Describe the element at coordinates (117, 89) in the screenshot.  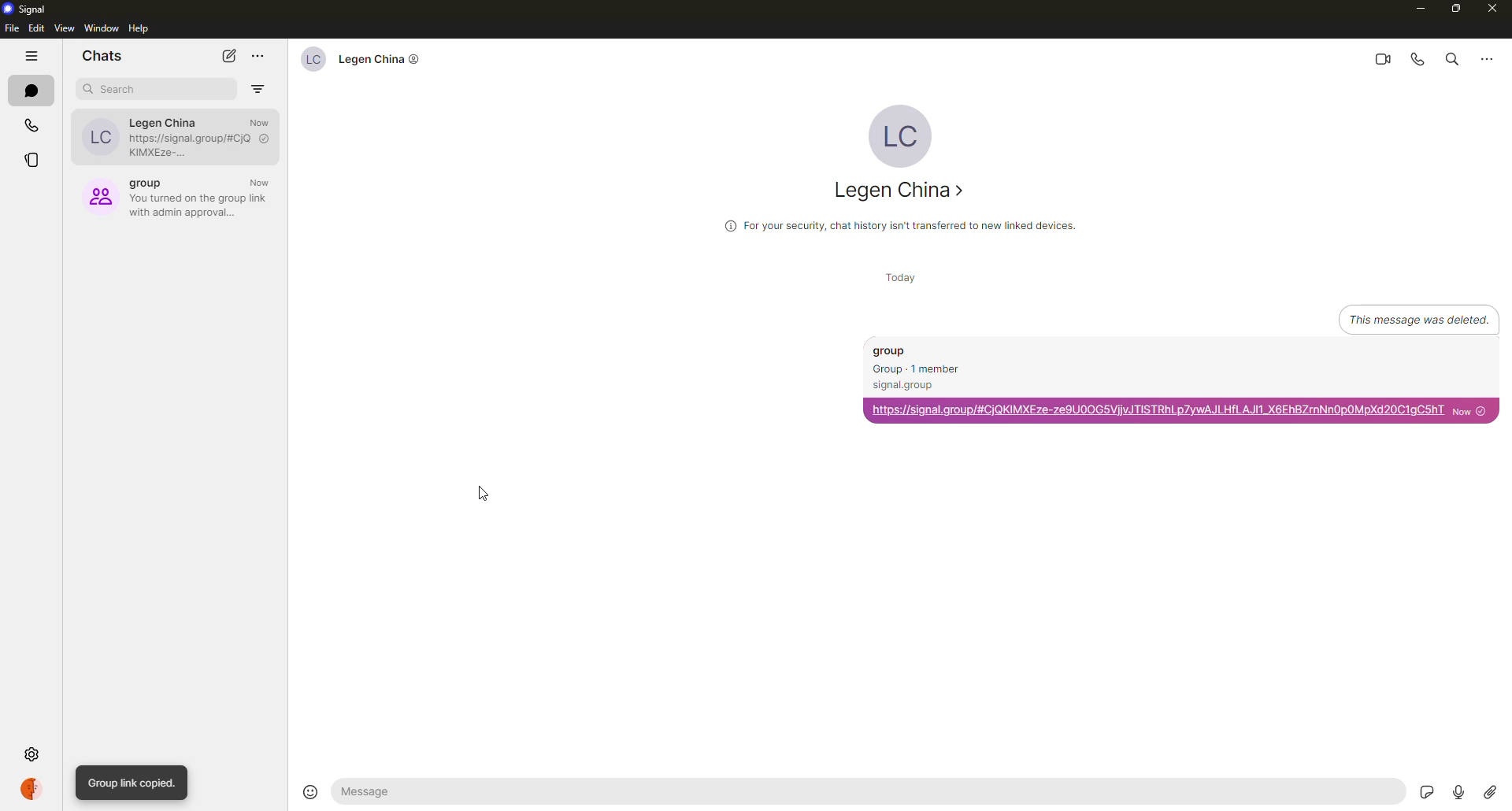
I see `search` at that location.